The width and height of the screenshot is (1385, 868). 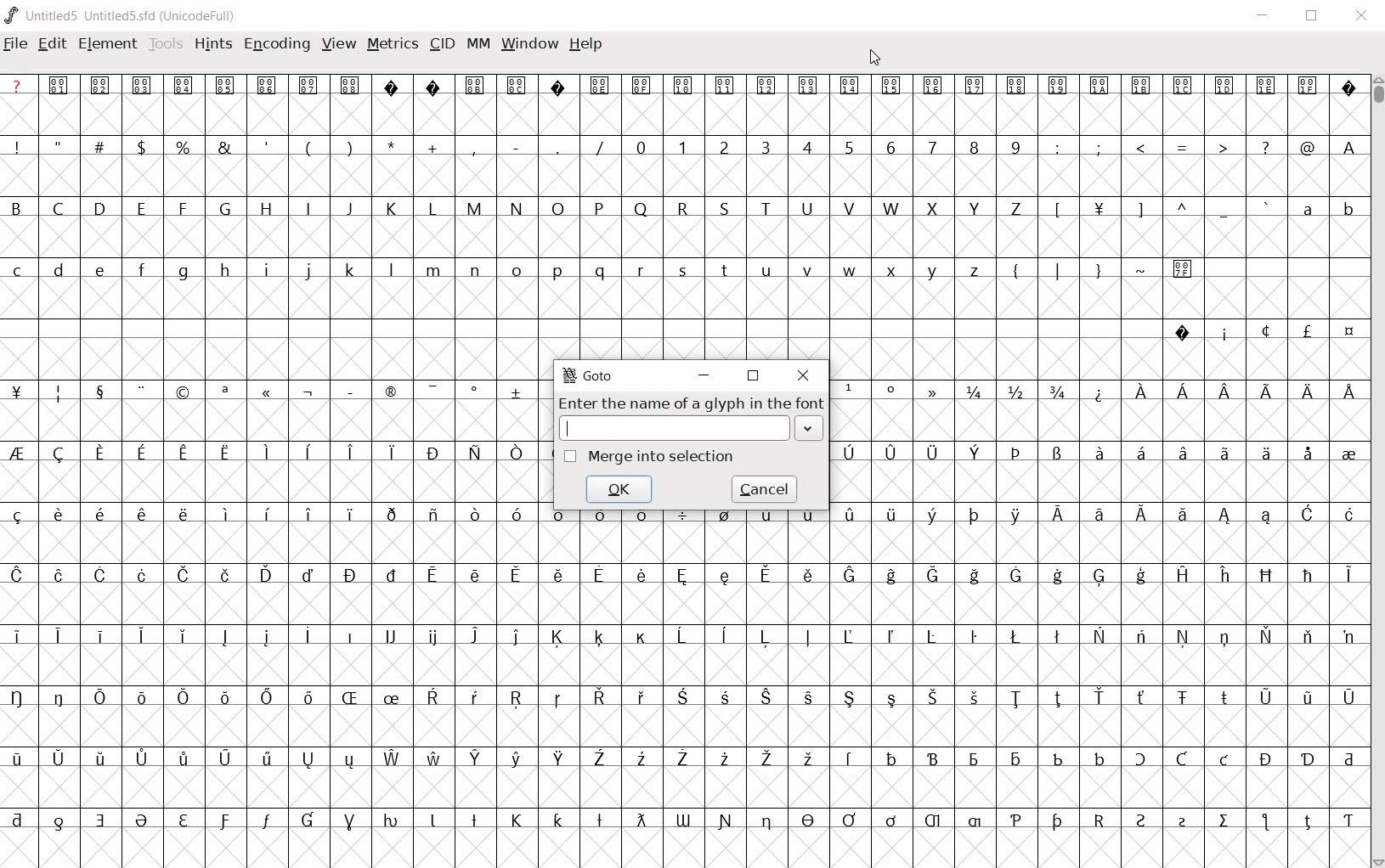 I want to click on Symbol, so click(x=973, y=515).